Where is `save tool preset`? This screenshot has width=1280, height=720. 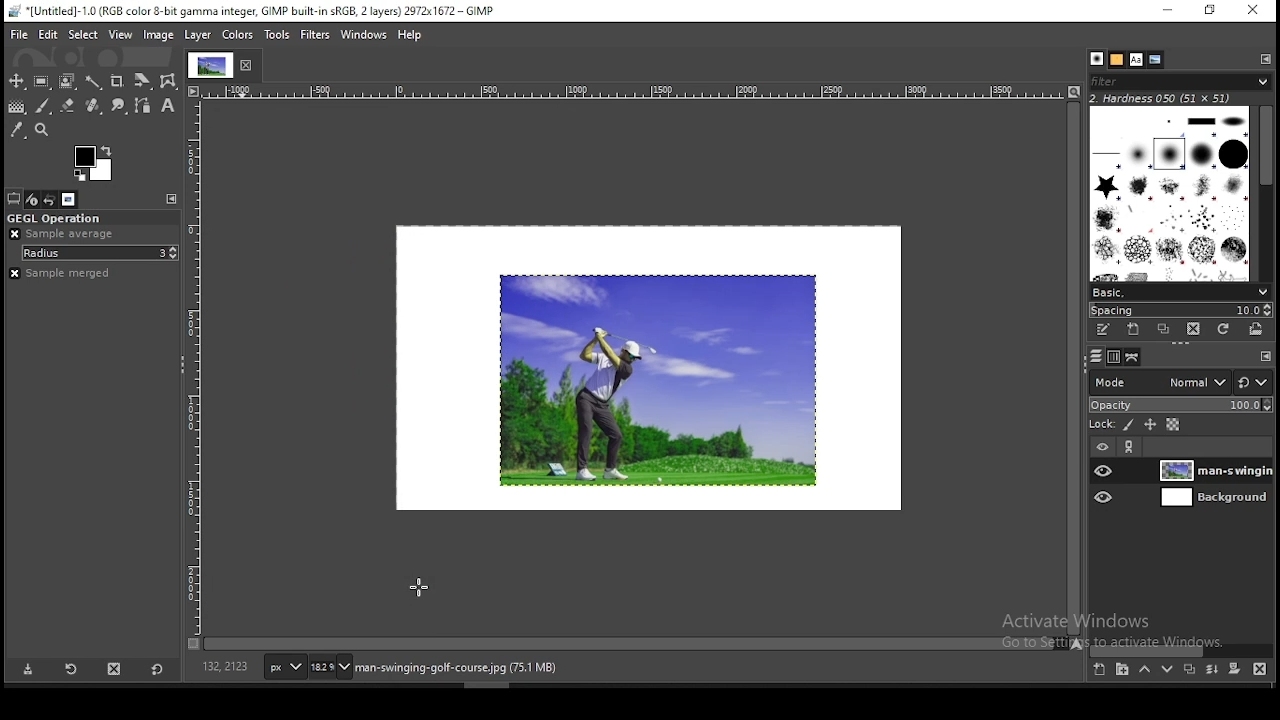
save tool preset is located at coordinates (32, 669).